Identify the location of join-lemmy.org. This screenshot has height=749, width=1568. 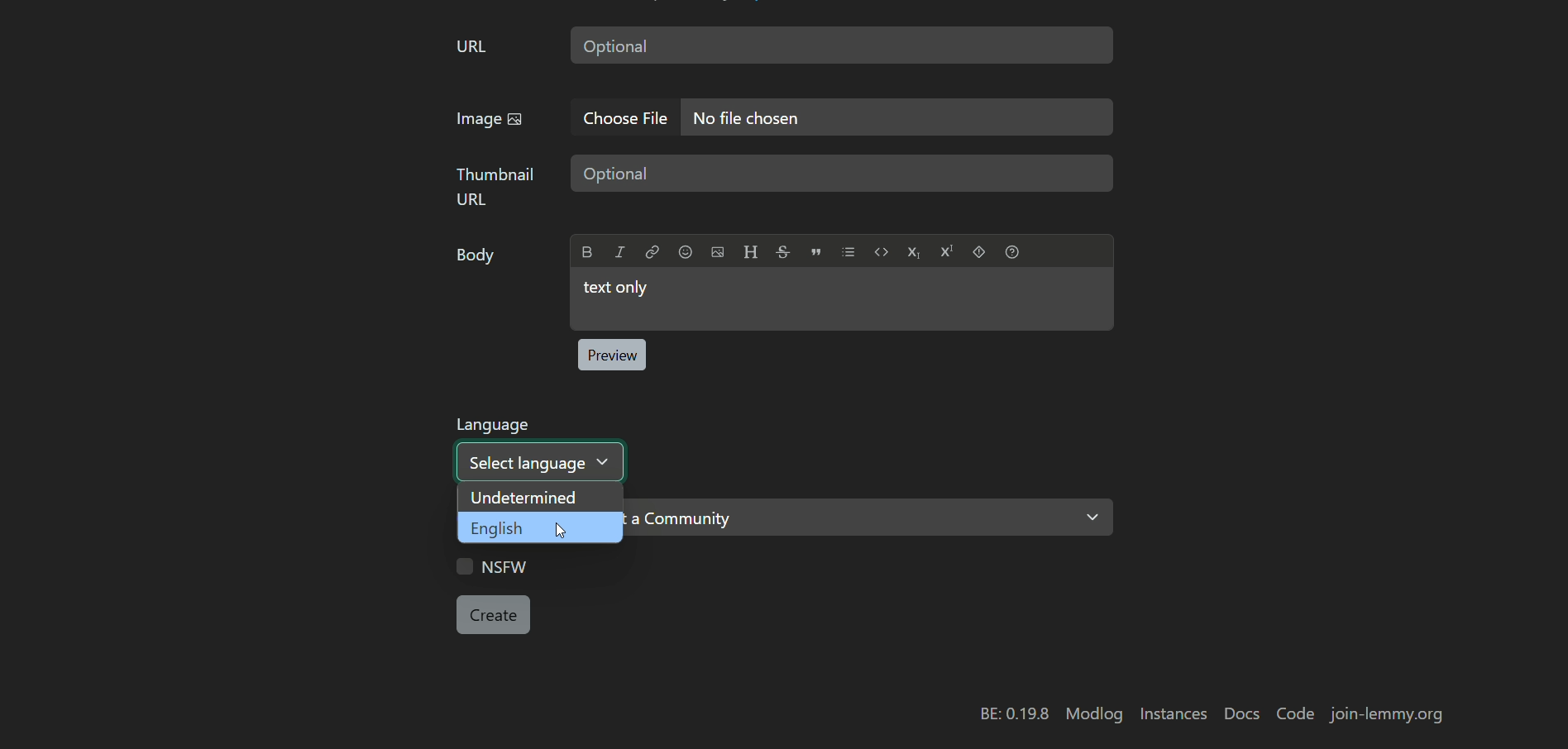
(1386, 714).